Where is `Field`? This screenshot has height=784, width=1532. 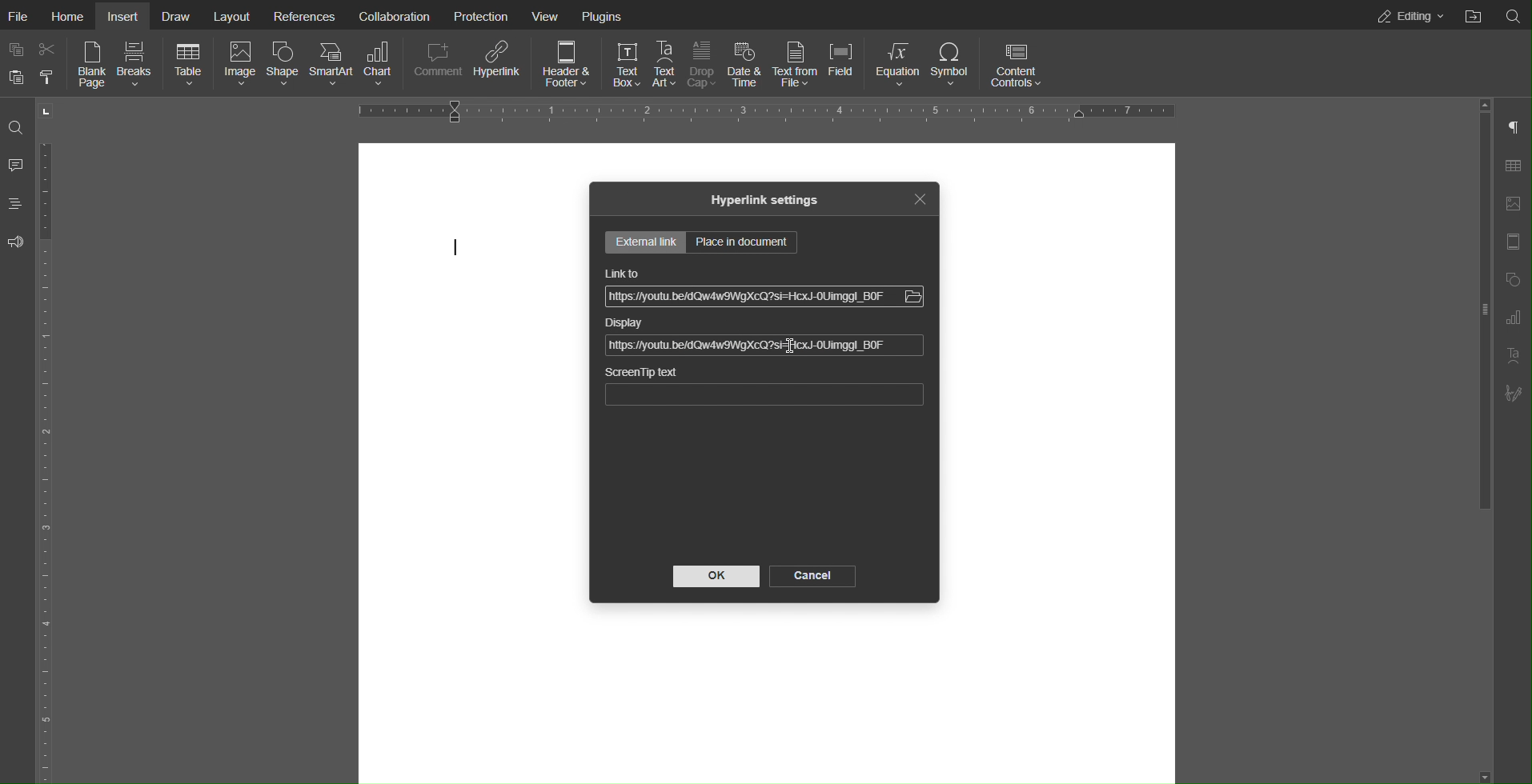 Field is located at coordinates (844, 65).